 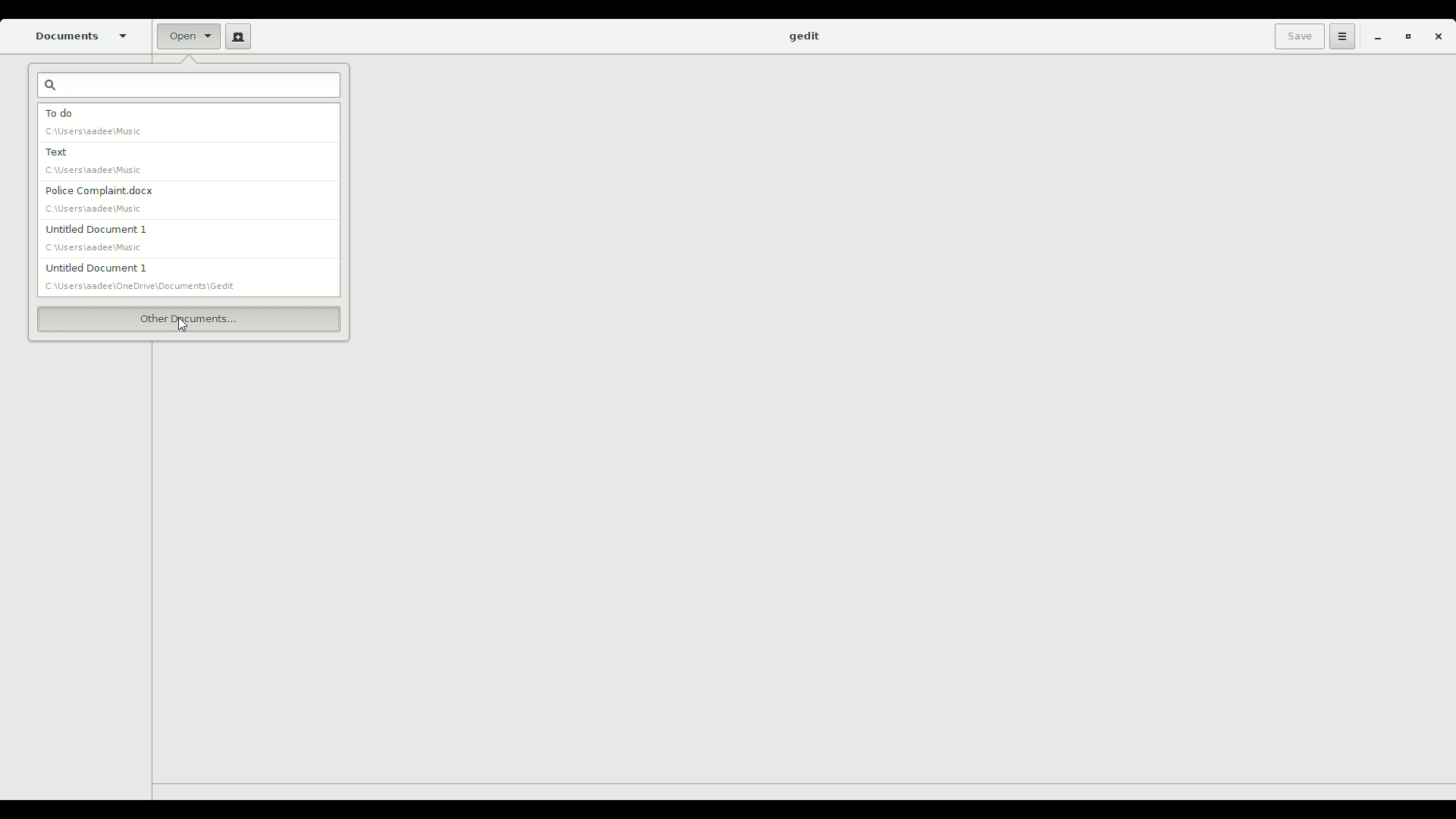 What do you see at coordinates (1404, 38) in the screenshot?
I see `Restore` at bounding box center [1404, 38].